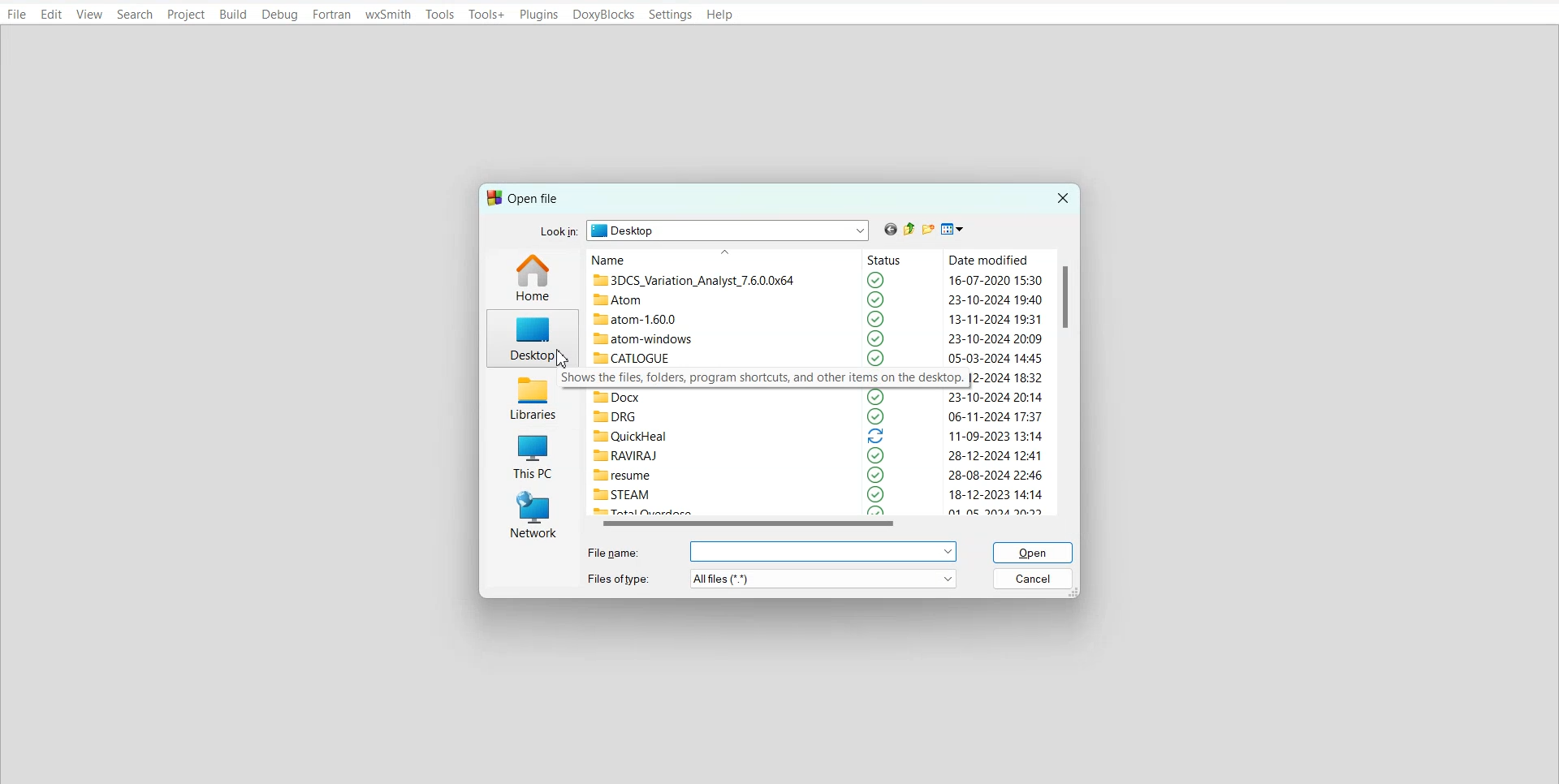  What do you see at coordinates (697, 257) in the screenshot?
I see `Name` at bounding box center [697, 257].